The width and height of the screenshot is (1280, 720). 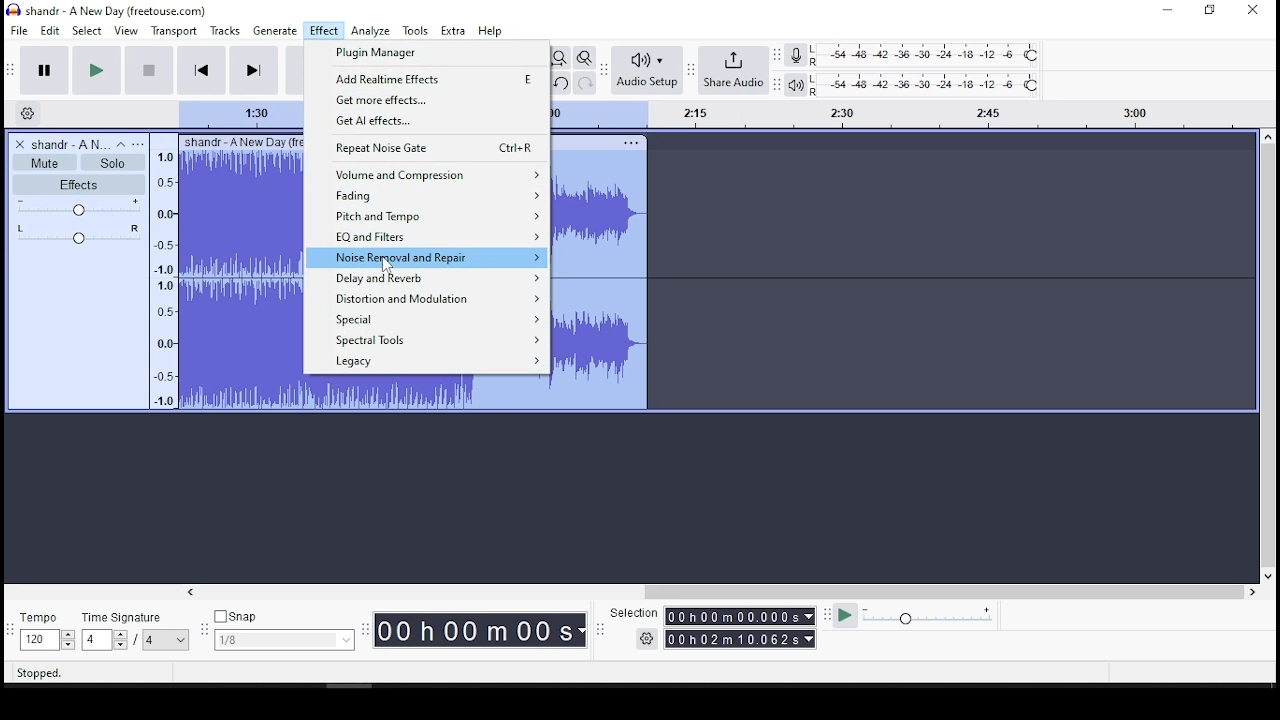 What do you see at coordinates (920, 618) in the screenshot?
I see `playback speed` at bounding box center [920, 618].